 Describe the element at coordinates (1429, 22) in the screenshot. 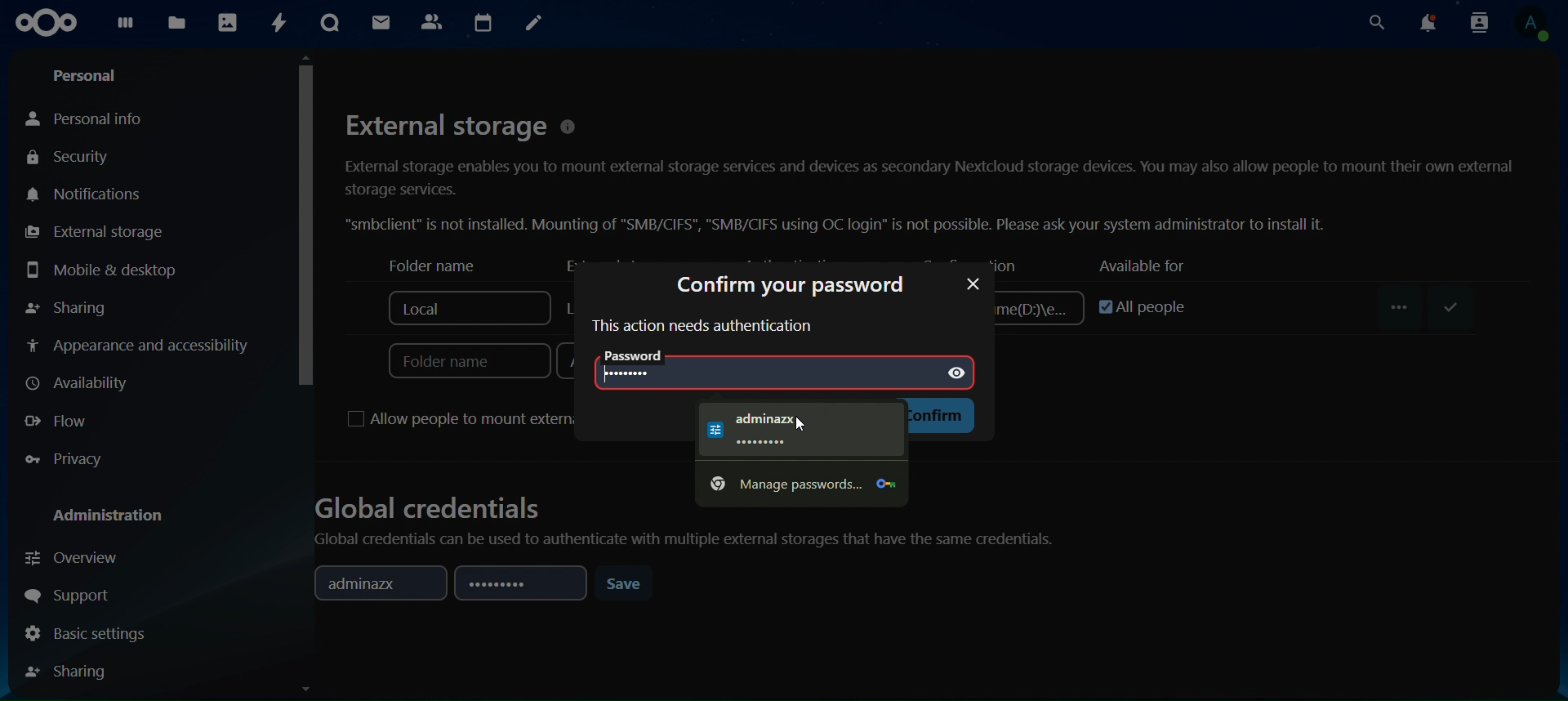

I see `notifications` at that location.